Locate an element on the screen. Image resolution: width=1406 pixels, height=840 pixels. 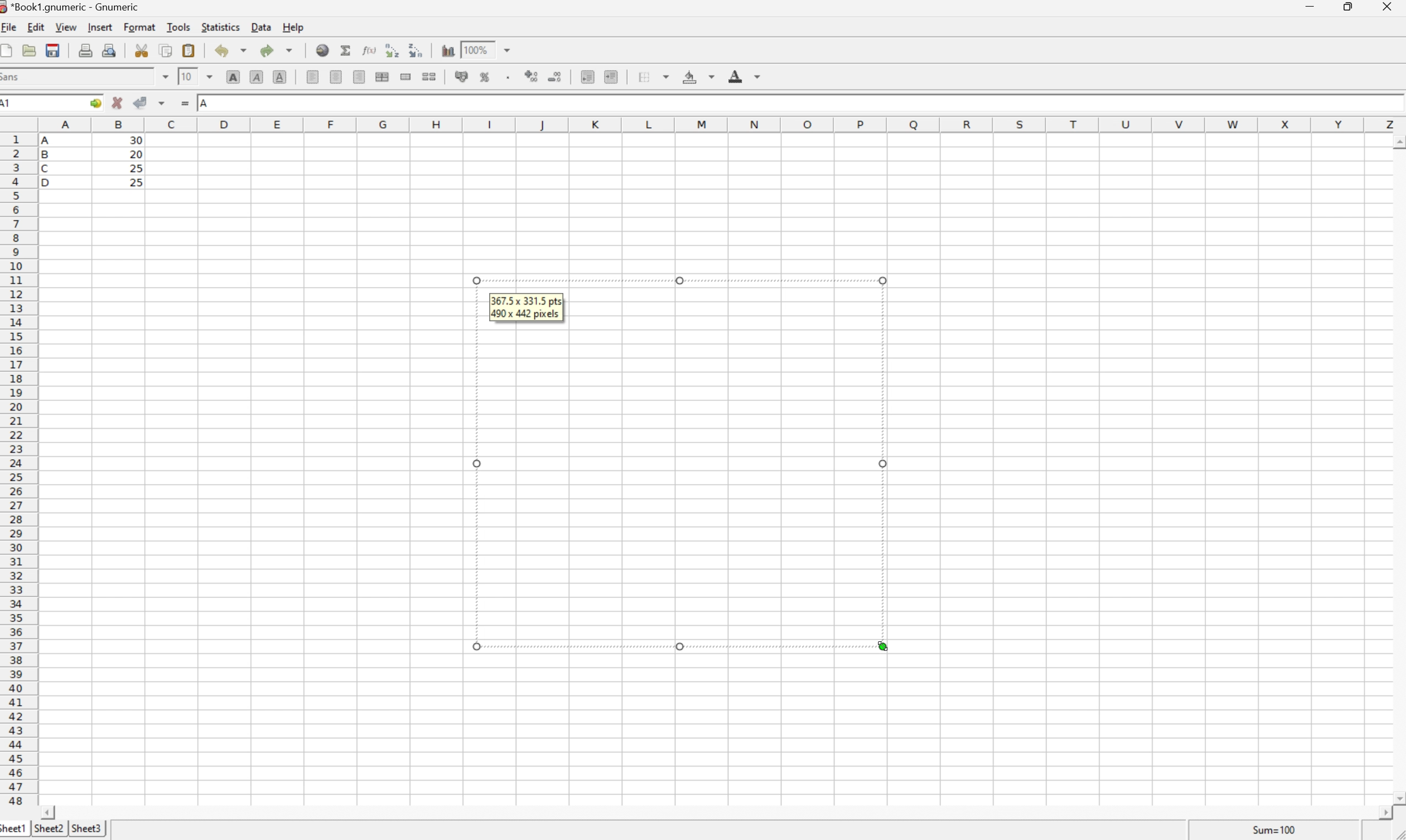
Edit function in current cell is located at coordinates (371, 49).